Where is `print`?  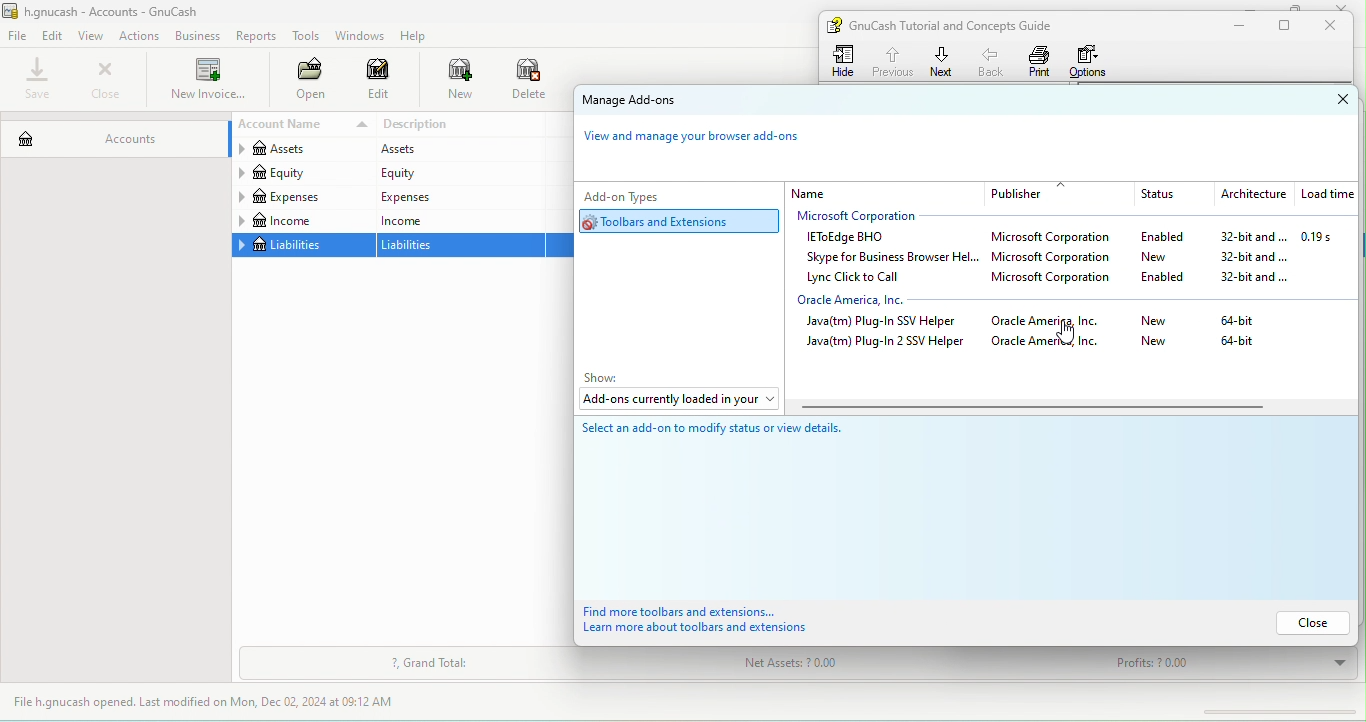
print is located at coordinates (1040, 61).